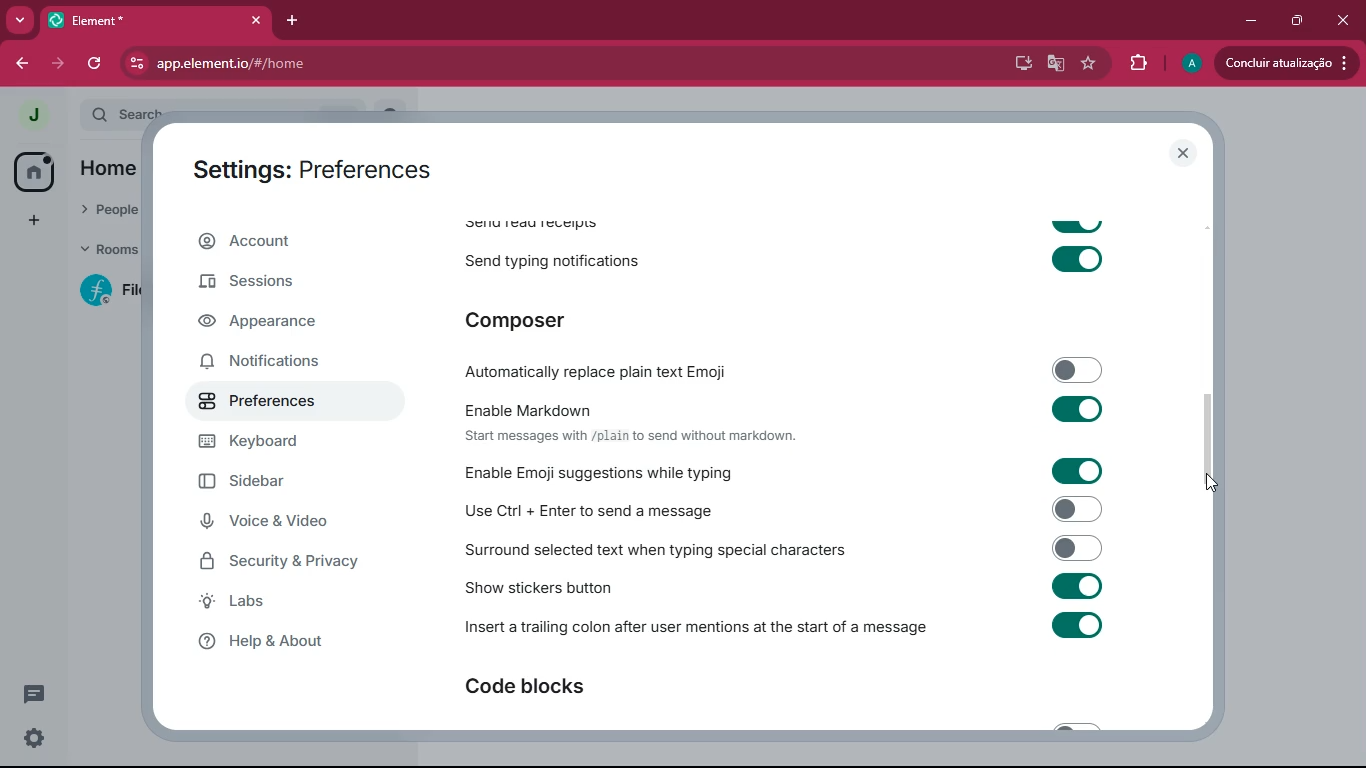 The width and height of the screenshot is (1366, 768). I want to click on sessions, so click(268, 285).